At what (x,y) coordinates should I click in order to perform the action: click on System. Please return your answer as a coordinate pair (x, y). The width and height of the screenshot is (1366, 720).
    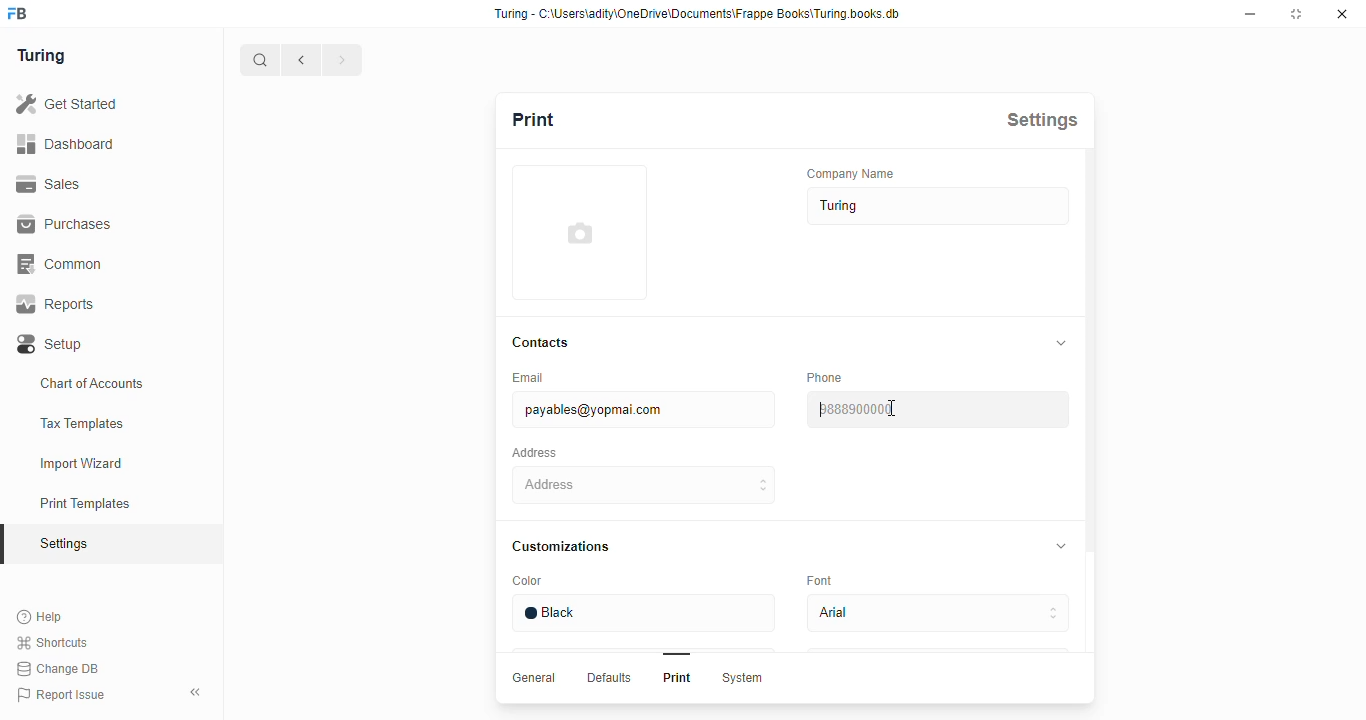
    Looking at the image, I should click on (746, 679).